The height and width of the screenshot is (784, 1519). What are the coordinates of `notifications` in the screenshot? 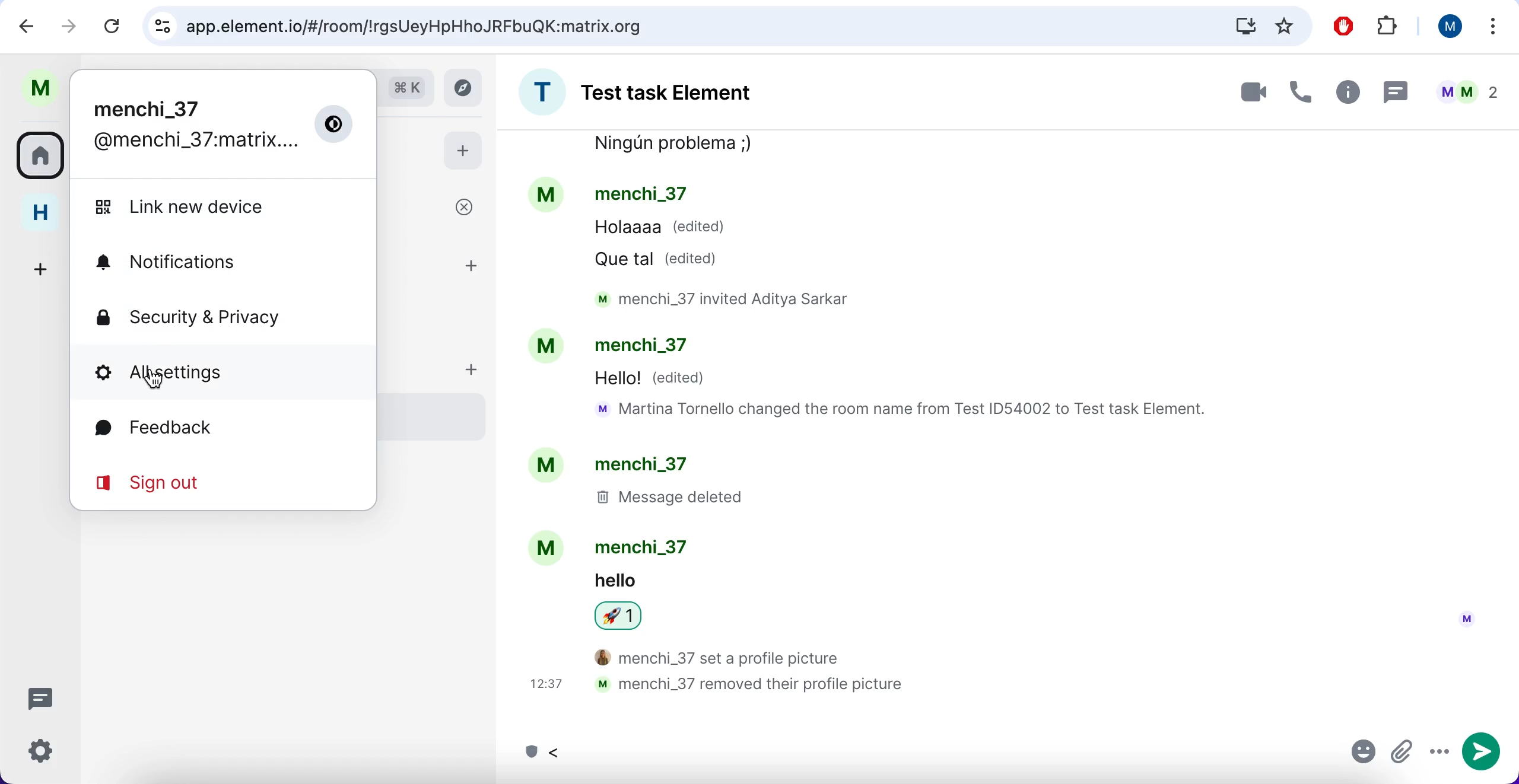 It's located at (206, 260).